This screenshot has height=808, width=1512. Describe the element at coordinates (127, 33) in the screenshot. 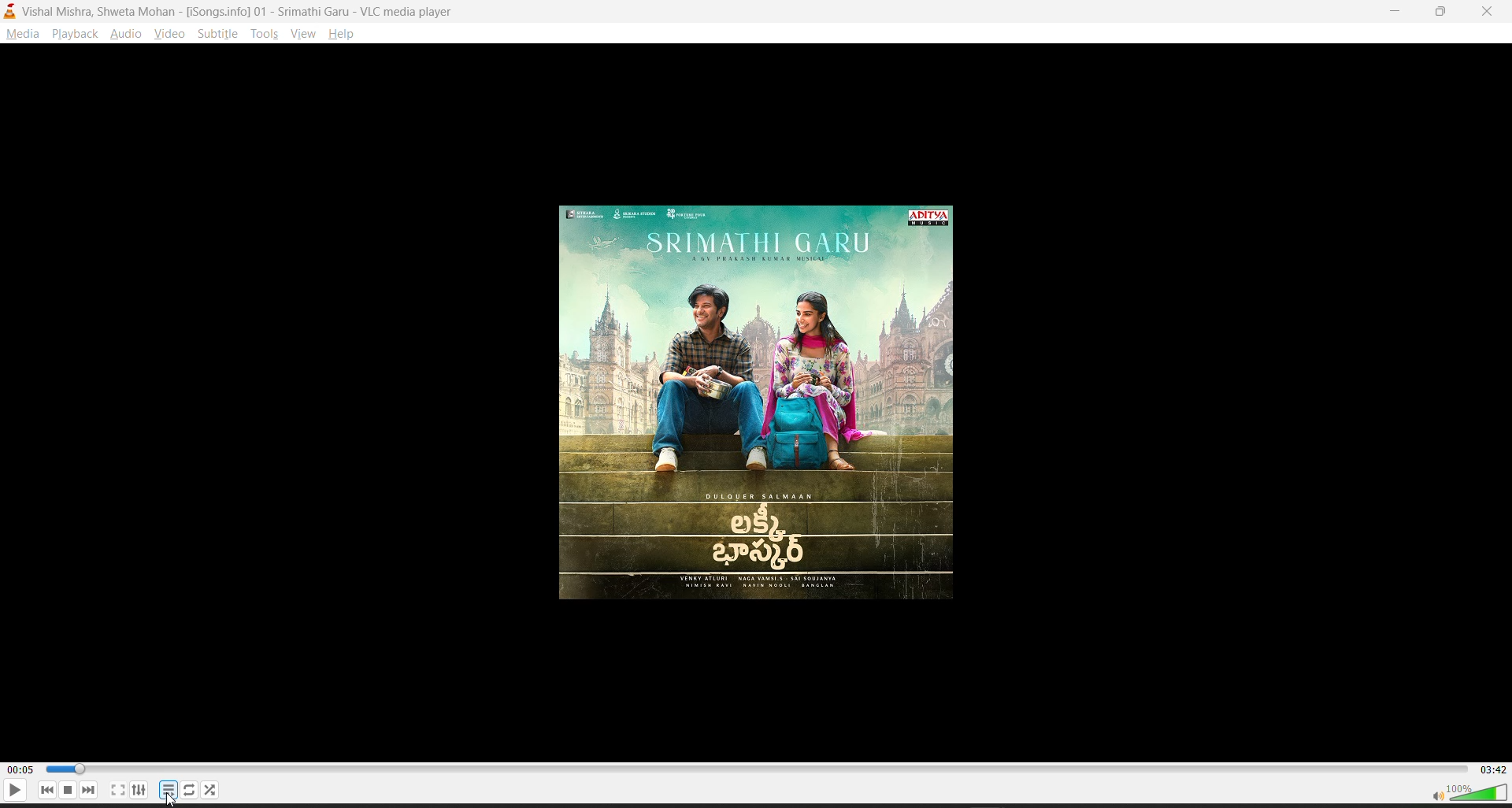

I see `audio` at that location.